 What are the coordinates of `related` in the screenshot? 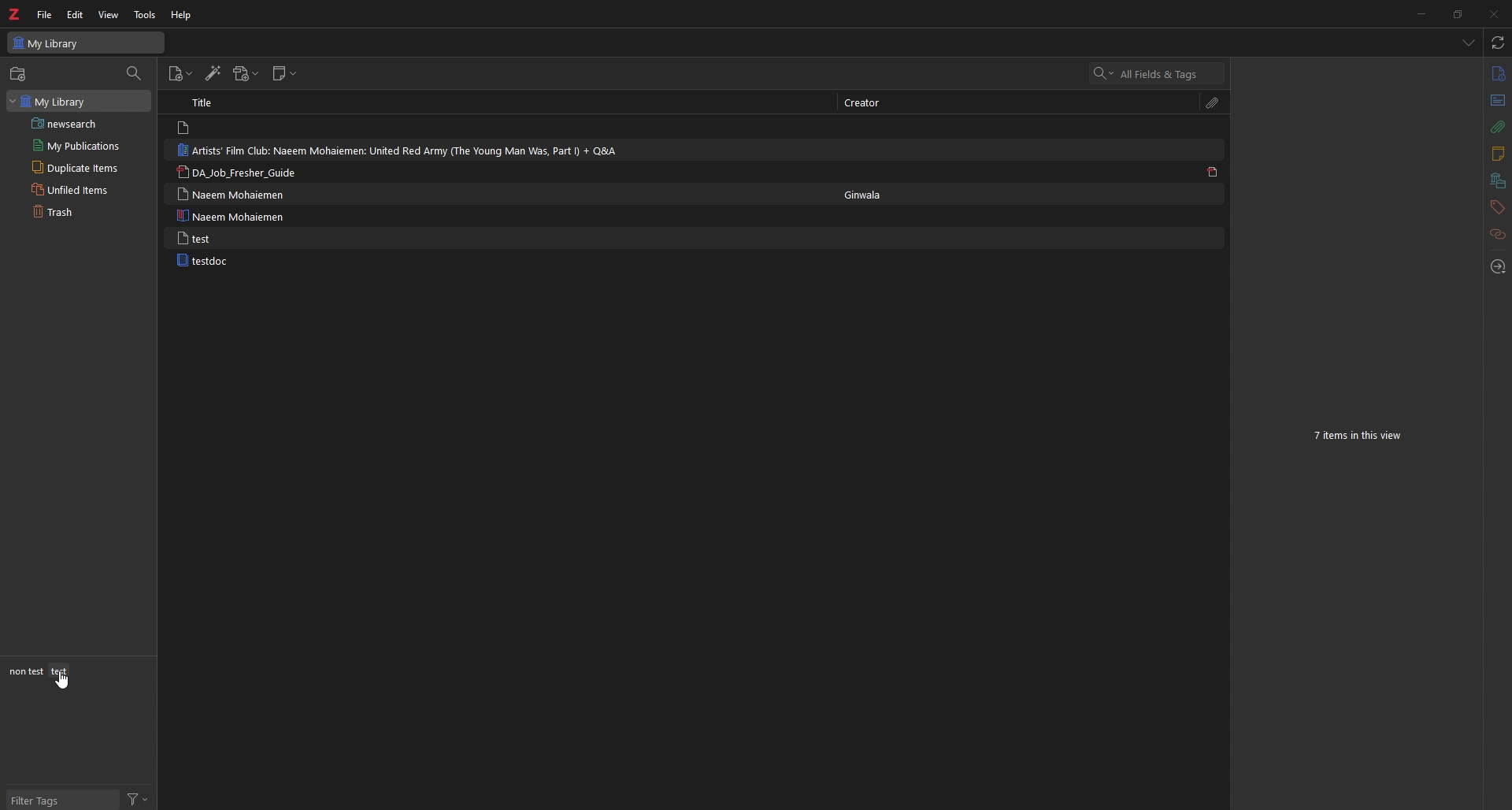 It's located at (1499, 233).